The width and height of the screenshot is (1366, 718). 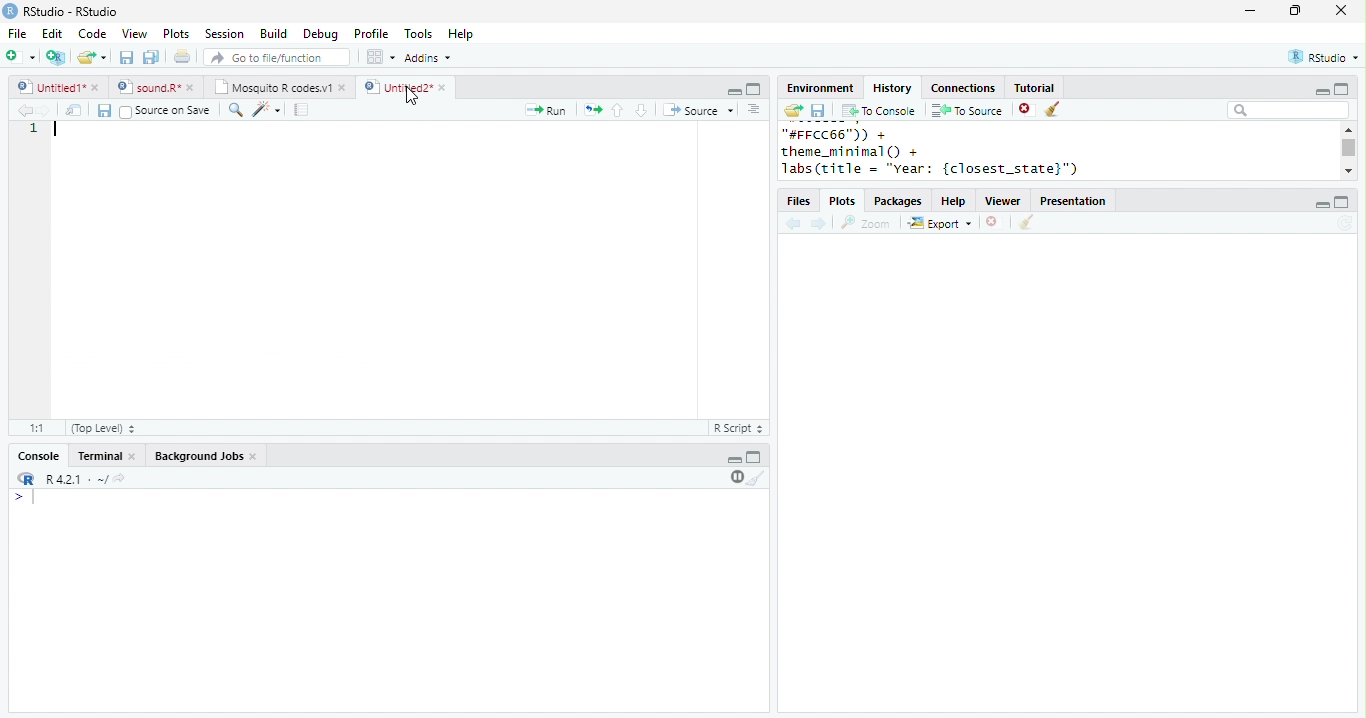 What do you see at coordinates (73, 480) in the screenshot?
I see `R 4.2.1 .~/` at bounding box center [73, 480].